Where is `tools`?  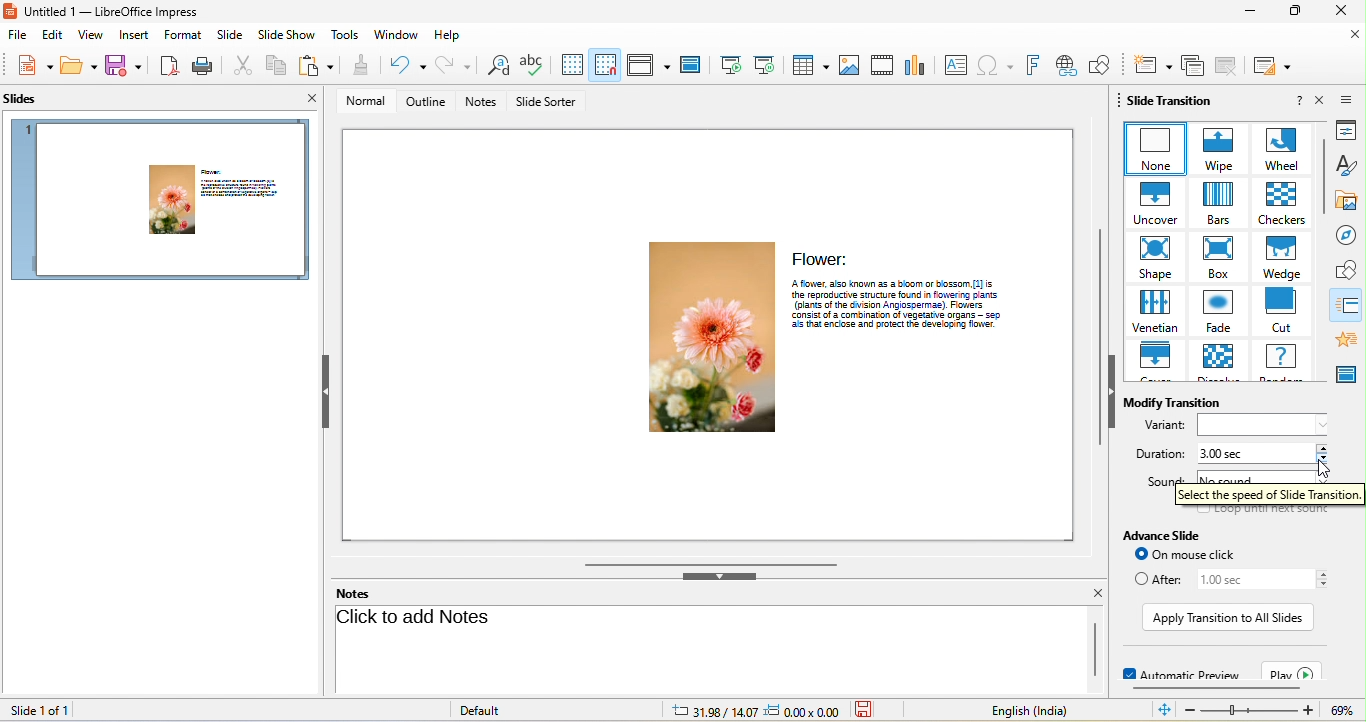 tools is located at coordinates (344, 34).